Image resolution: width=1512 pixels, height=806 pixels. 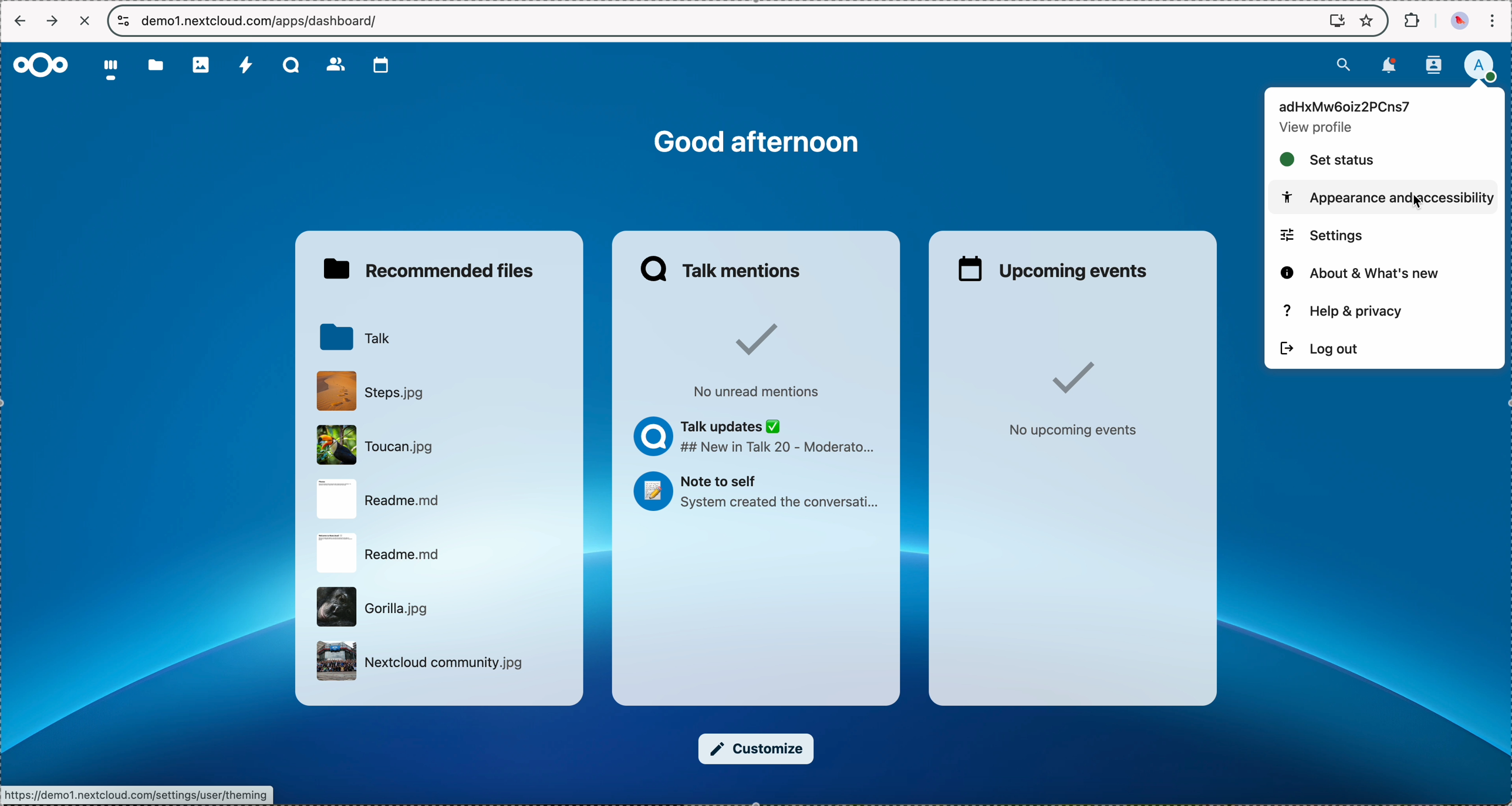 I want to click on favorites, so click(x=1368, y=19).